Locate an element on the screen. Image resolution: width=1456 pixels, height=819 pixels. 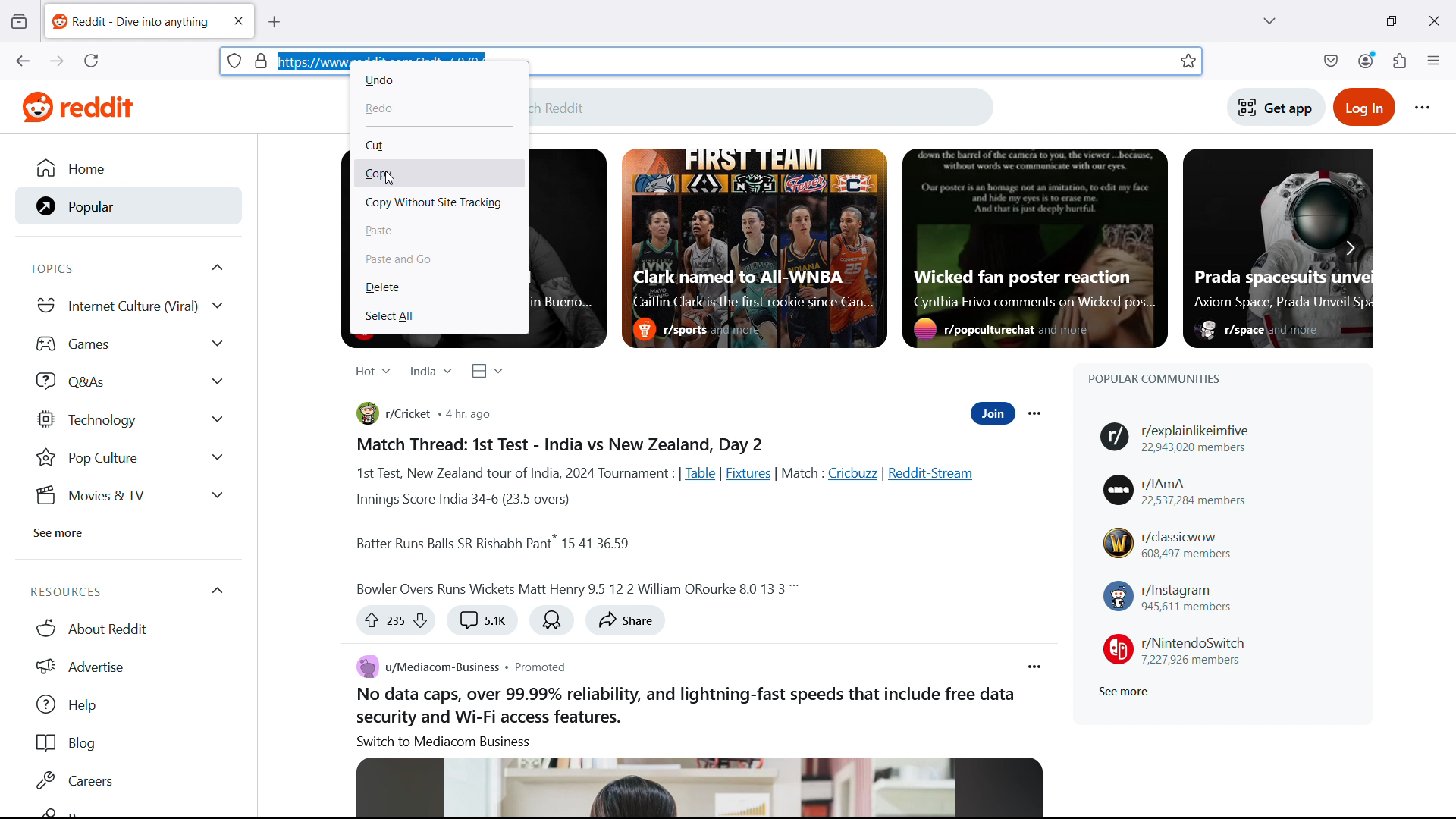
Select view is located at coordinates (488, 371).